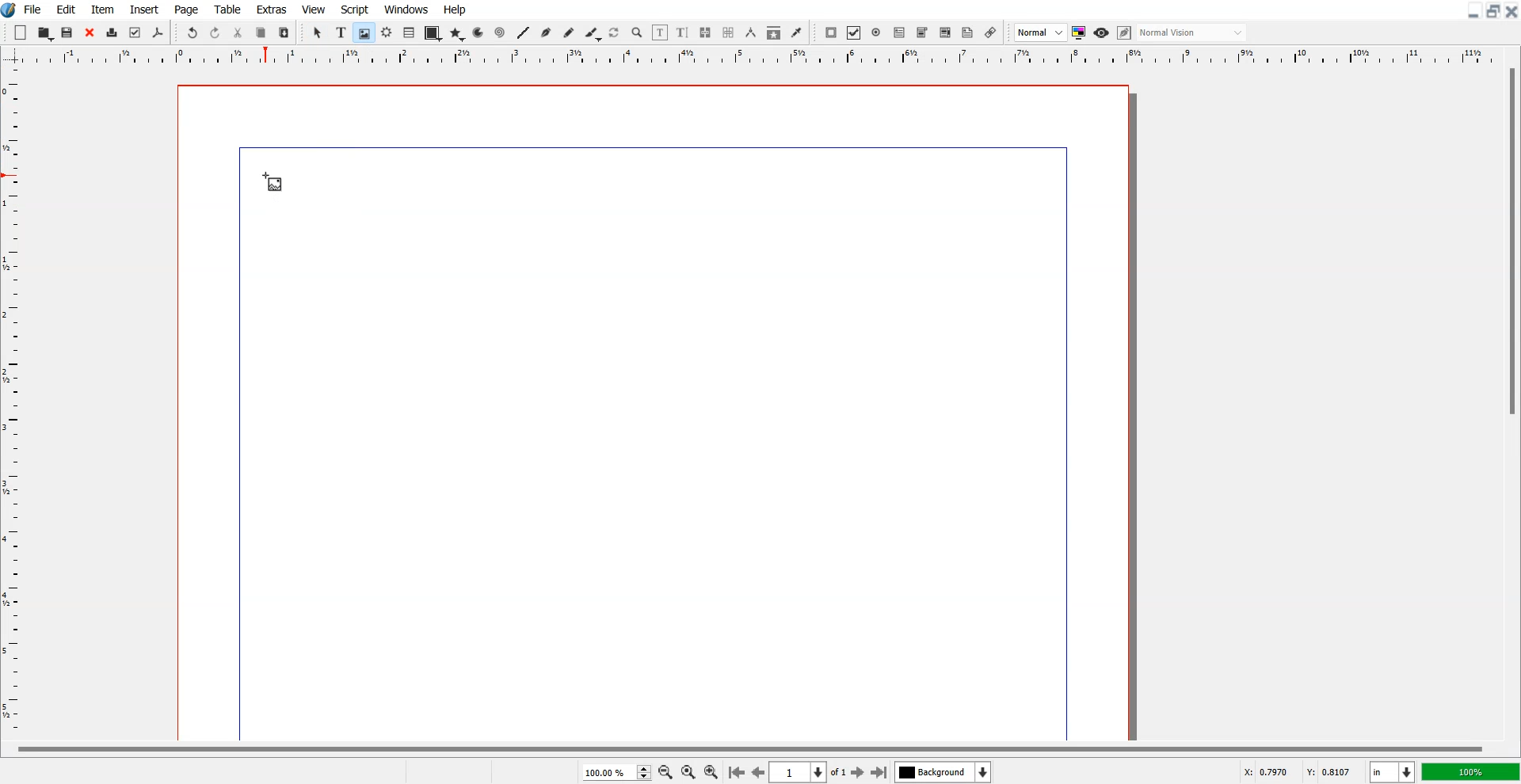 Image resolution: width=1521 pixels, height=784 pixels. I want to click on X,Y Co-ordinate, so click(1301, 771).